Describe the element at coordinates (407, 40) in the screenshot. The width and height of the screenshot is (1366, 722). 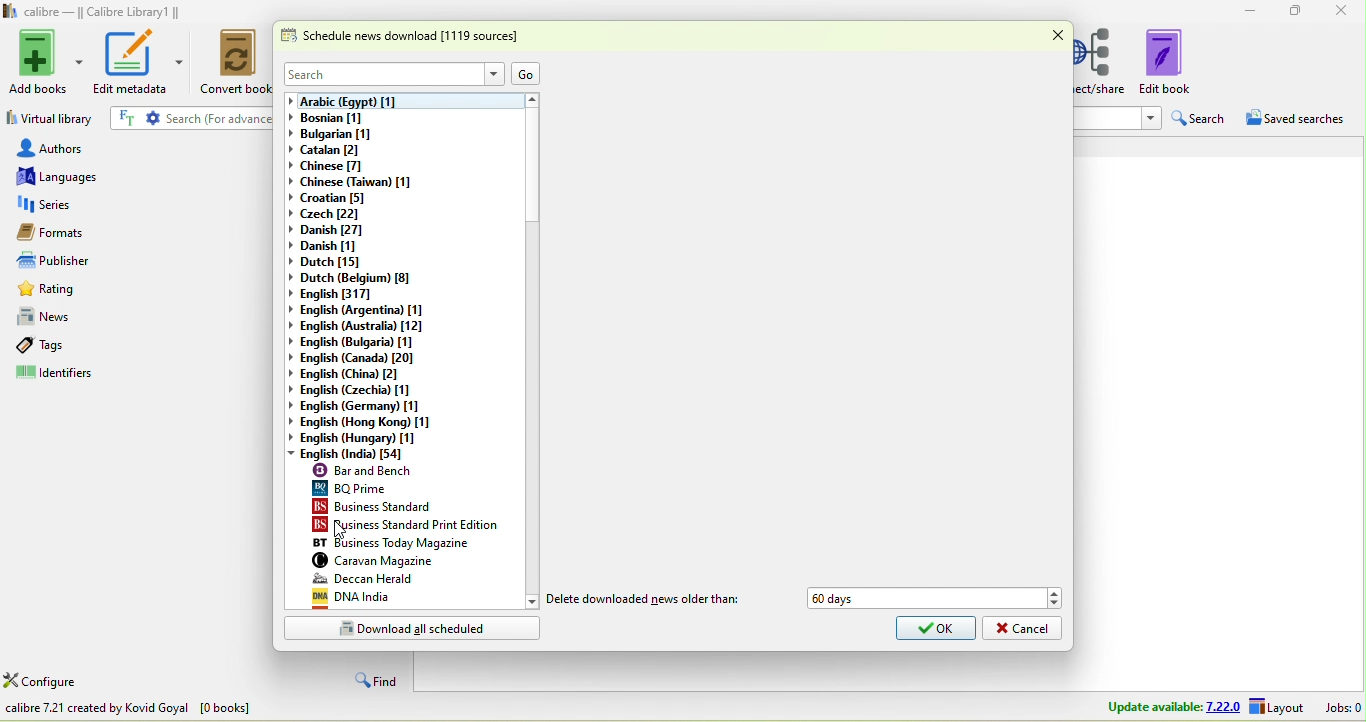
I see `schedule news download [1119 sources]` at that location.